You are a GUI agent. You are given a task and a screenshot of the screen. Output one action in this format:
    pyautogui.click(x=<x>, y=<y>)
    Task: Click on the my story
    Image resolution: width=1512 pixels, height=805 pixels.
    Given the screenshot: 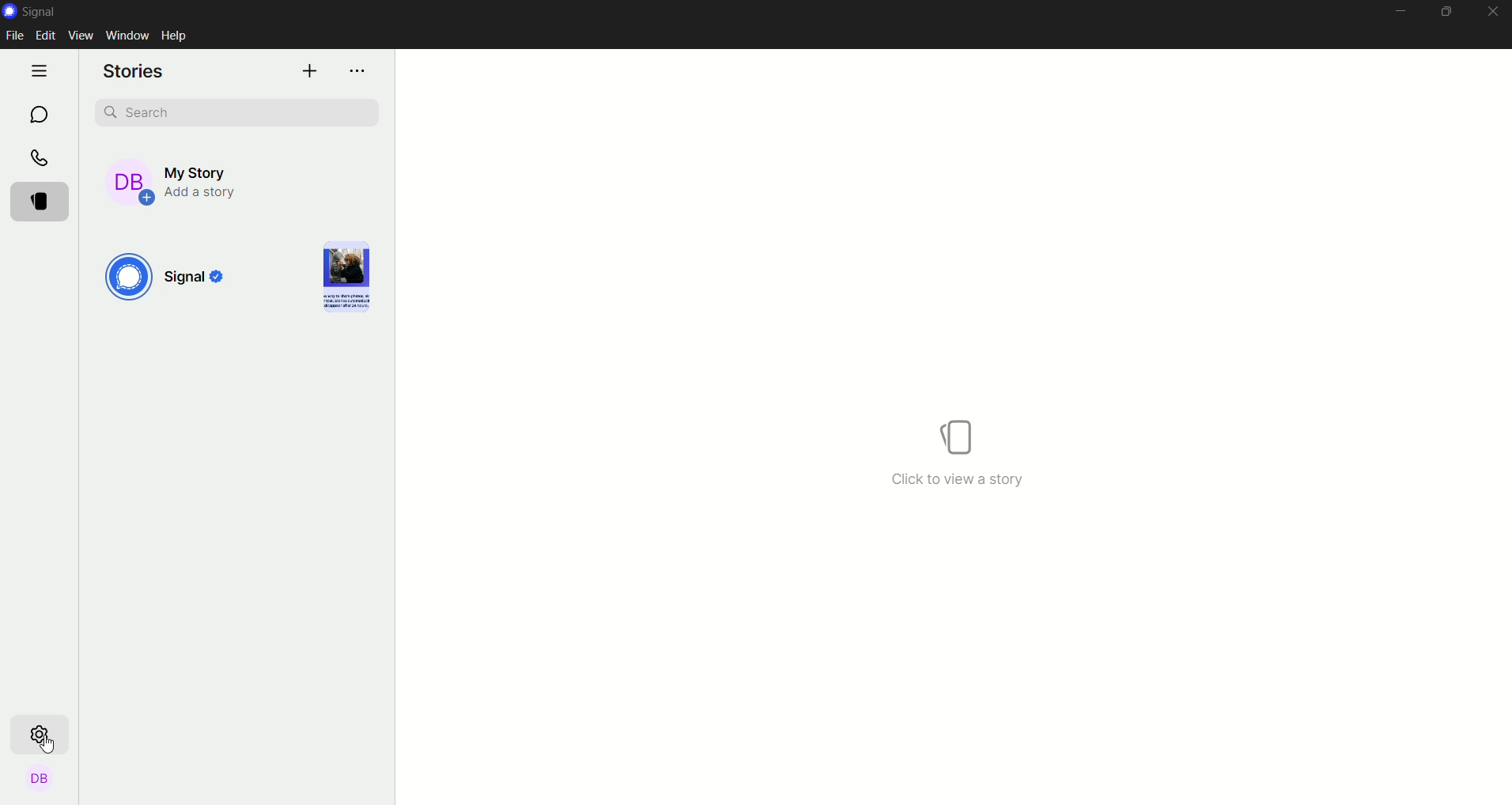 What is the action you would take?
    pyautogui.click(x=191, y=178)
    